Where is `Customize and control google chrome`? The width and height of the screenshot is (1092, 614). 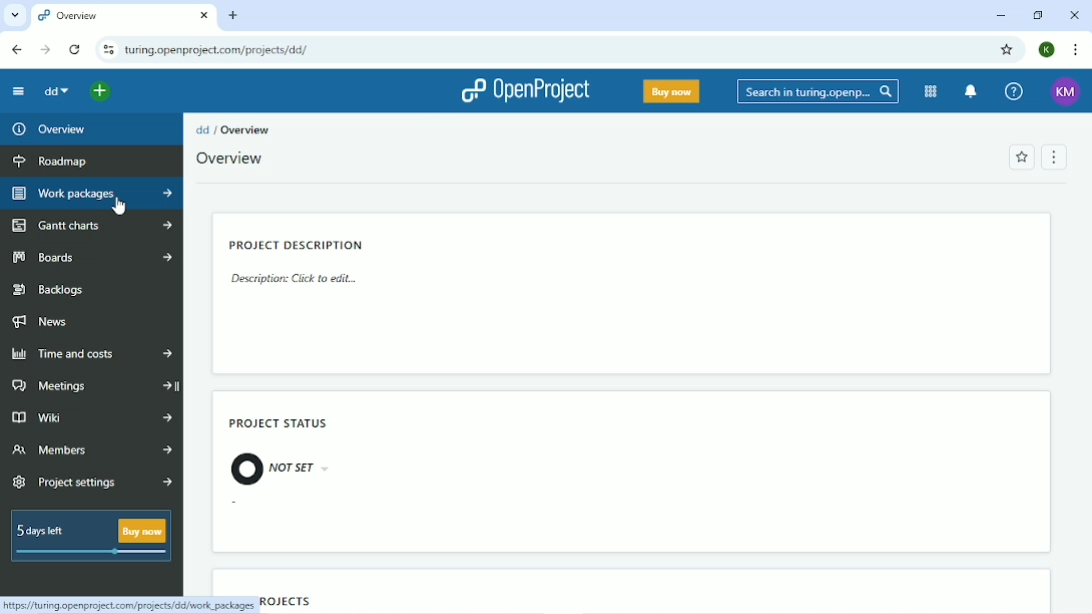 Customize and control google chrome is located at coordinates (1074, 50).